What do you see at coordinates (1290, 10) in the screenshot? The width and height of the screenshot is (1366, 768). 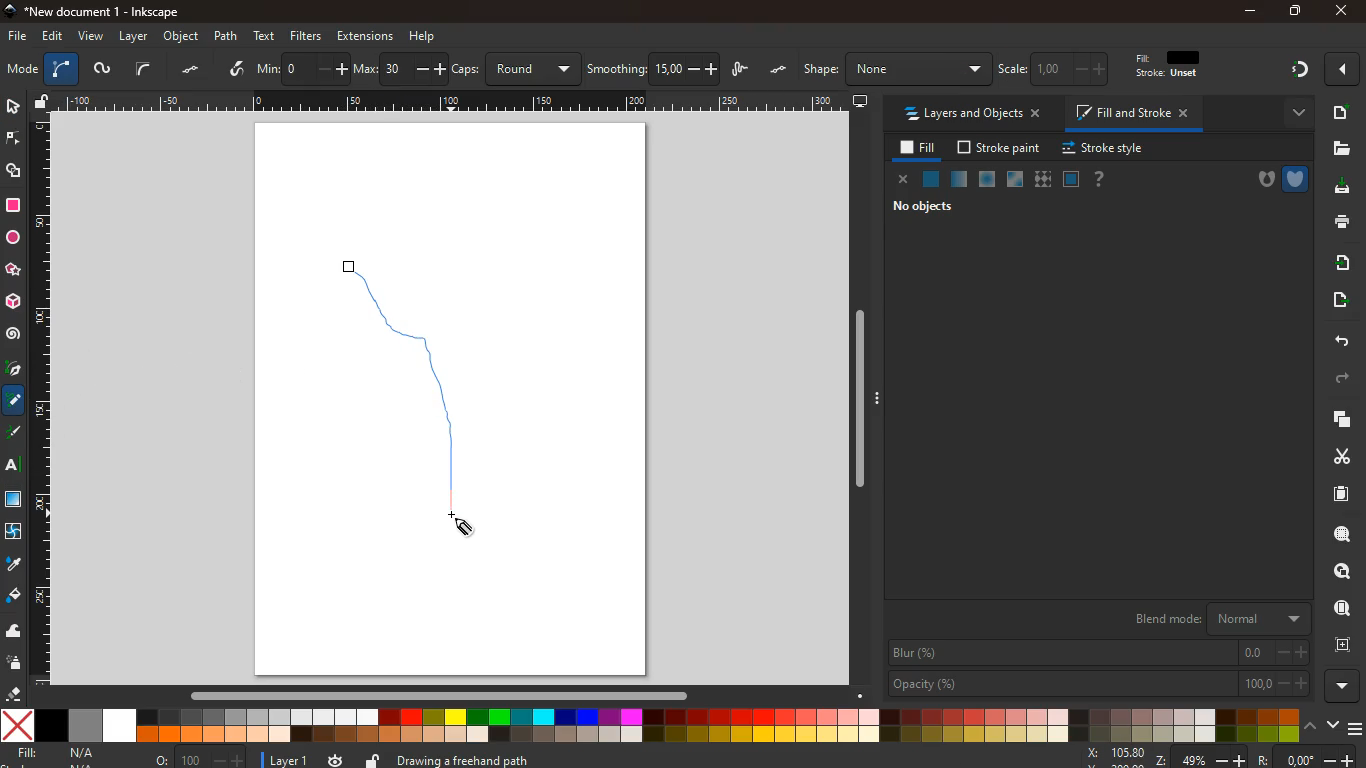 I see `maximize` at bounding box center [1290, 10].